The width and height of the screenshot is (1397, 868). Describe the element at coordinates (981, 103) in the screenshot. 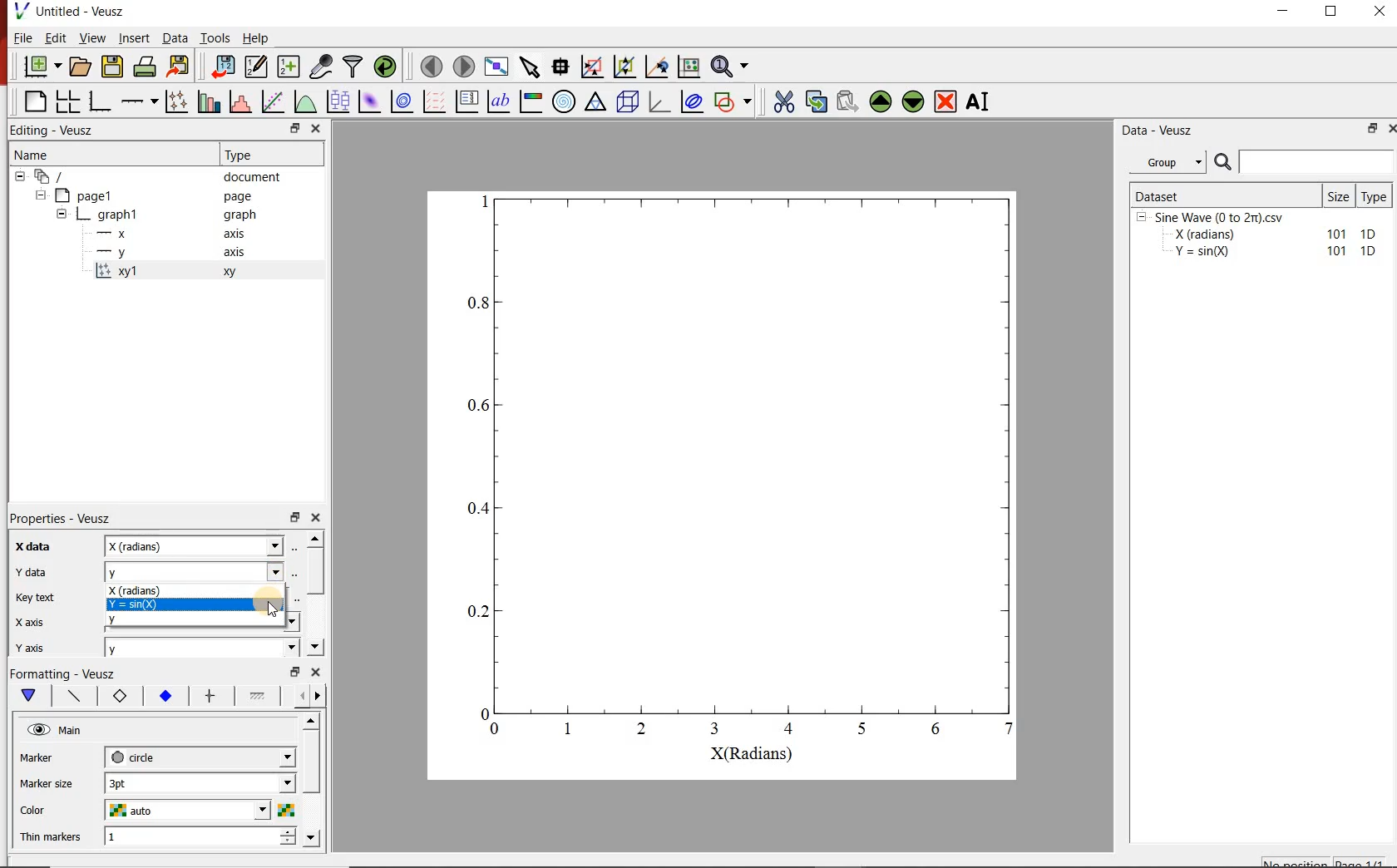

I see `rename` at that location.